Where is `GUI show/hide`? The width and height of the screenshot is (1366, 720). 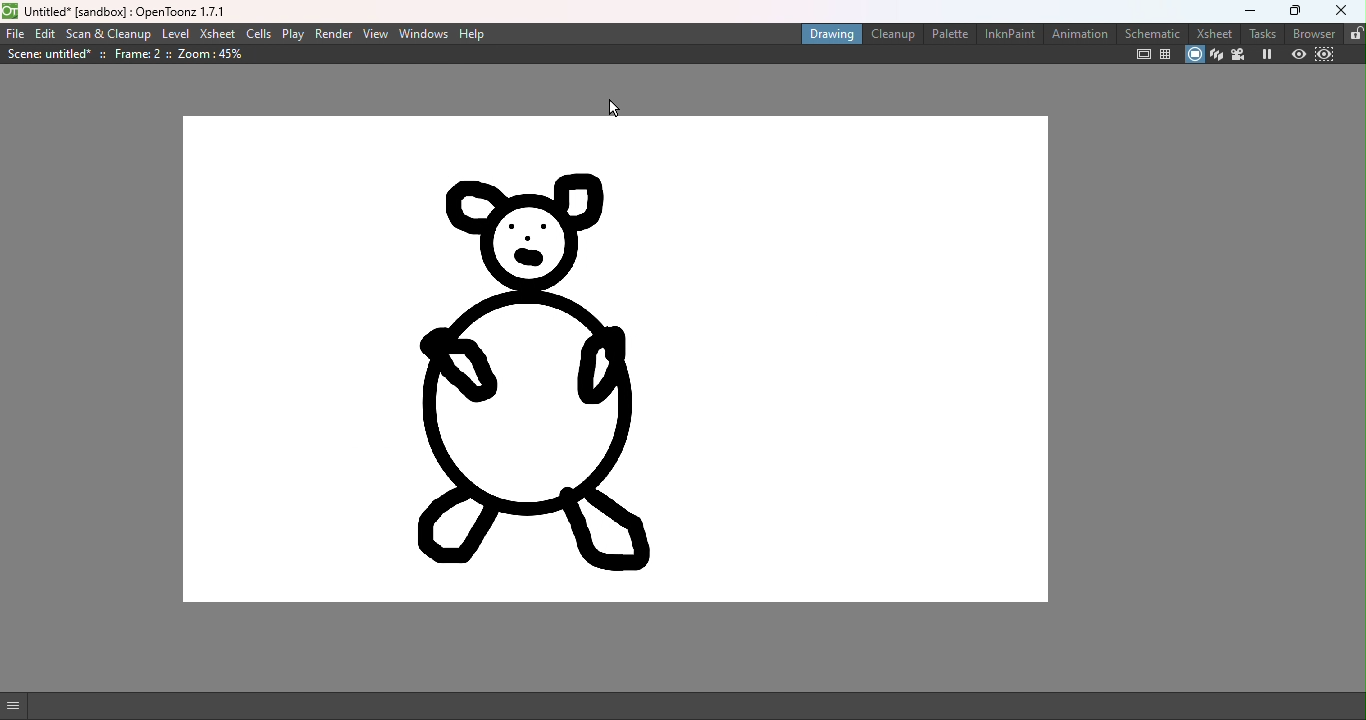
GUI show/hide is located at coordinates (19, 706).